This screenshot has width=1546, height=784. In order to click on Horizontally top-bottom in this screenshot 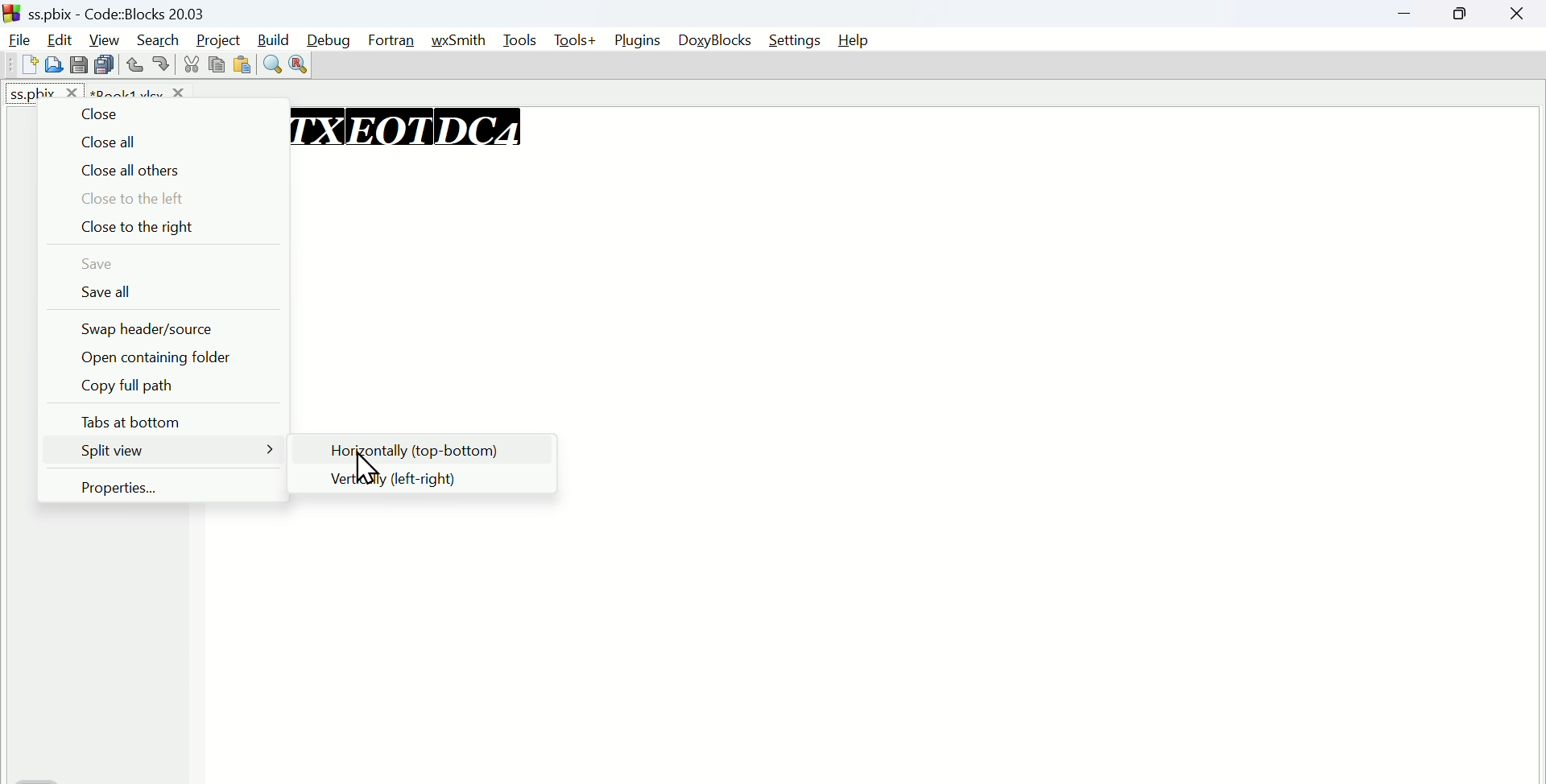, I will do `click(428, 449)`.